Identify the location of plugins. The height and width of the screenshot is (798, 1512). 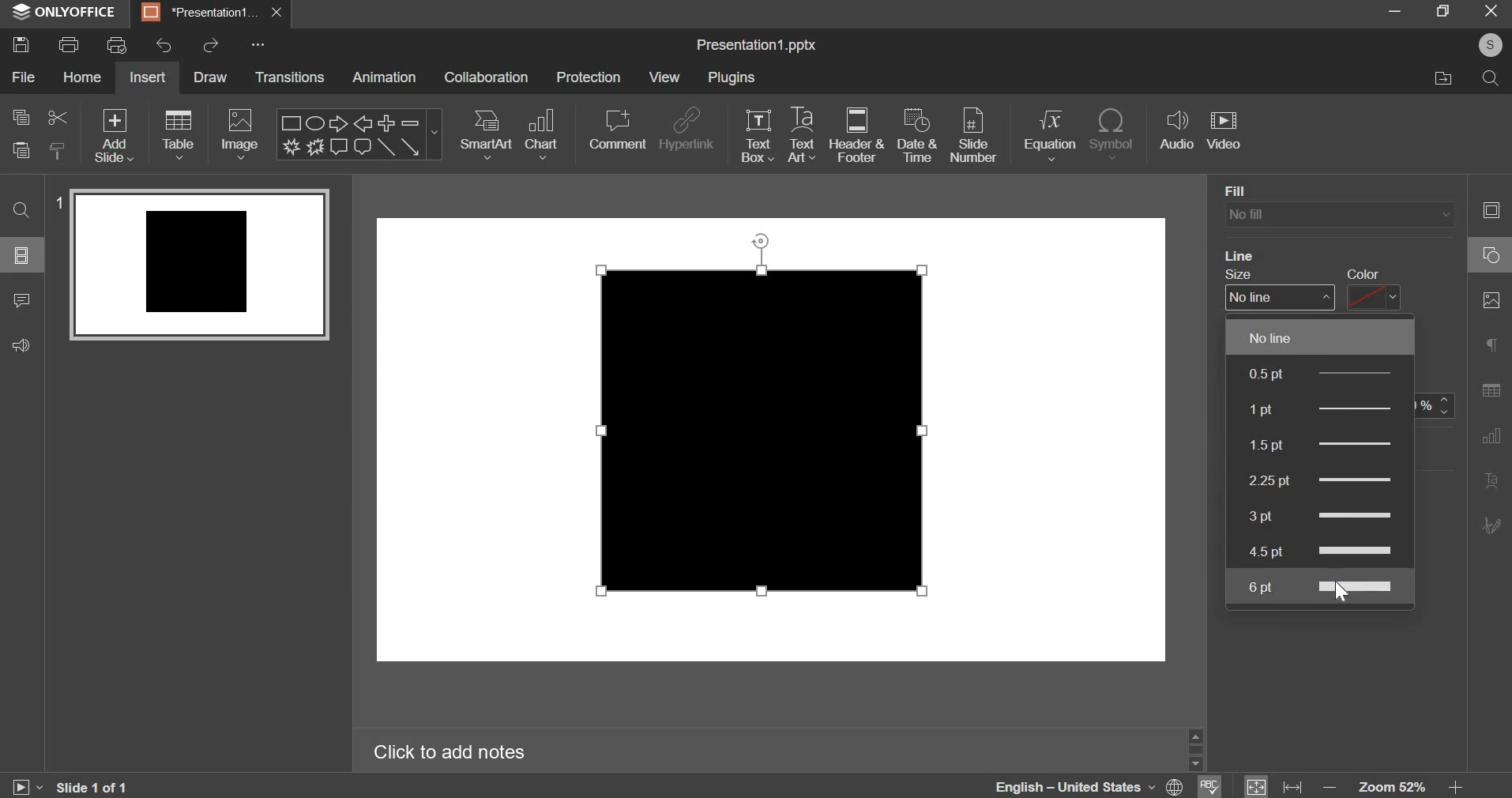
(731, 77).